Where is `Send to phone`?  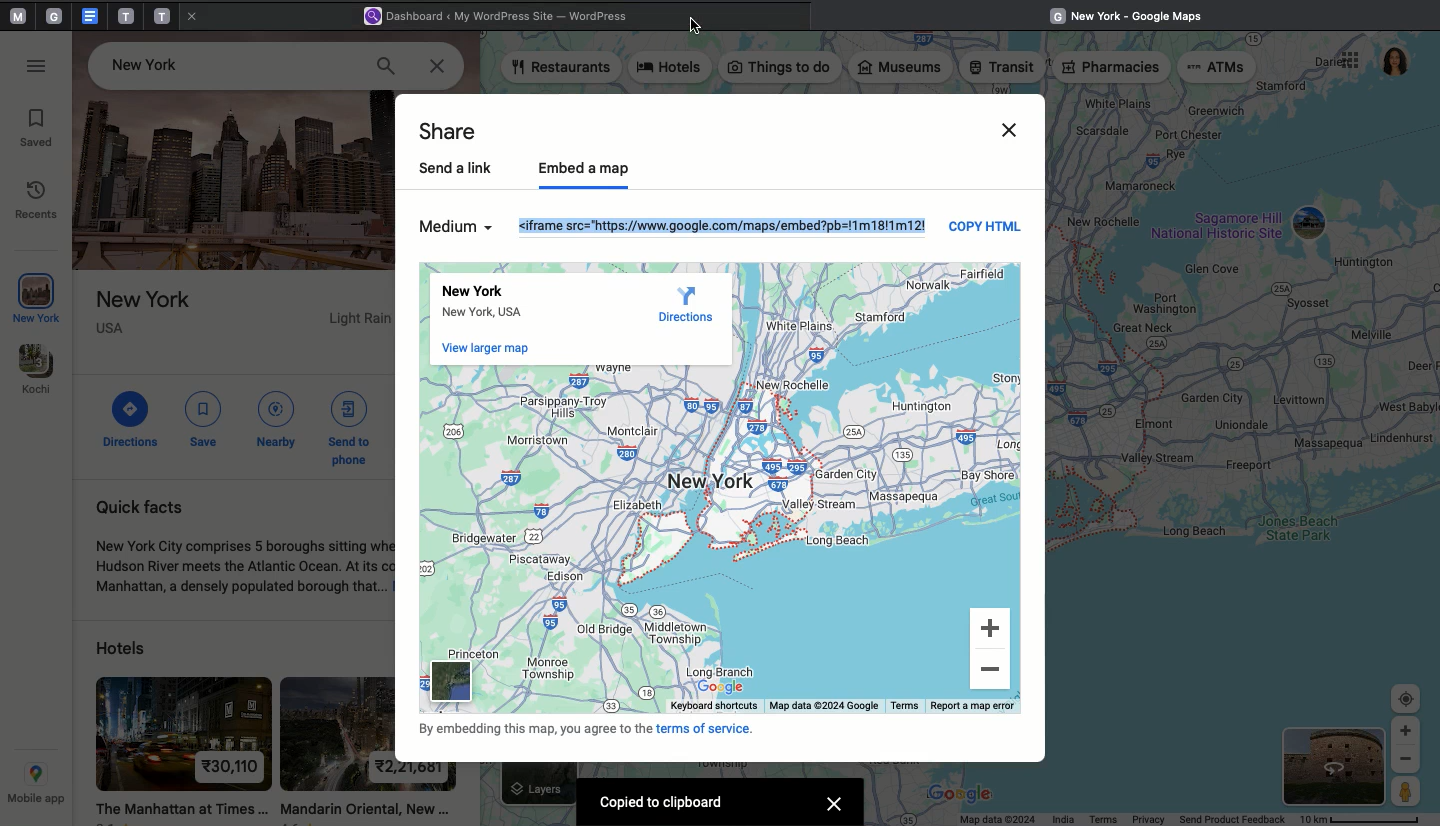
Send to phone is located at coordinates (354, 426).